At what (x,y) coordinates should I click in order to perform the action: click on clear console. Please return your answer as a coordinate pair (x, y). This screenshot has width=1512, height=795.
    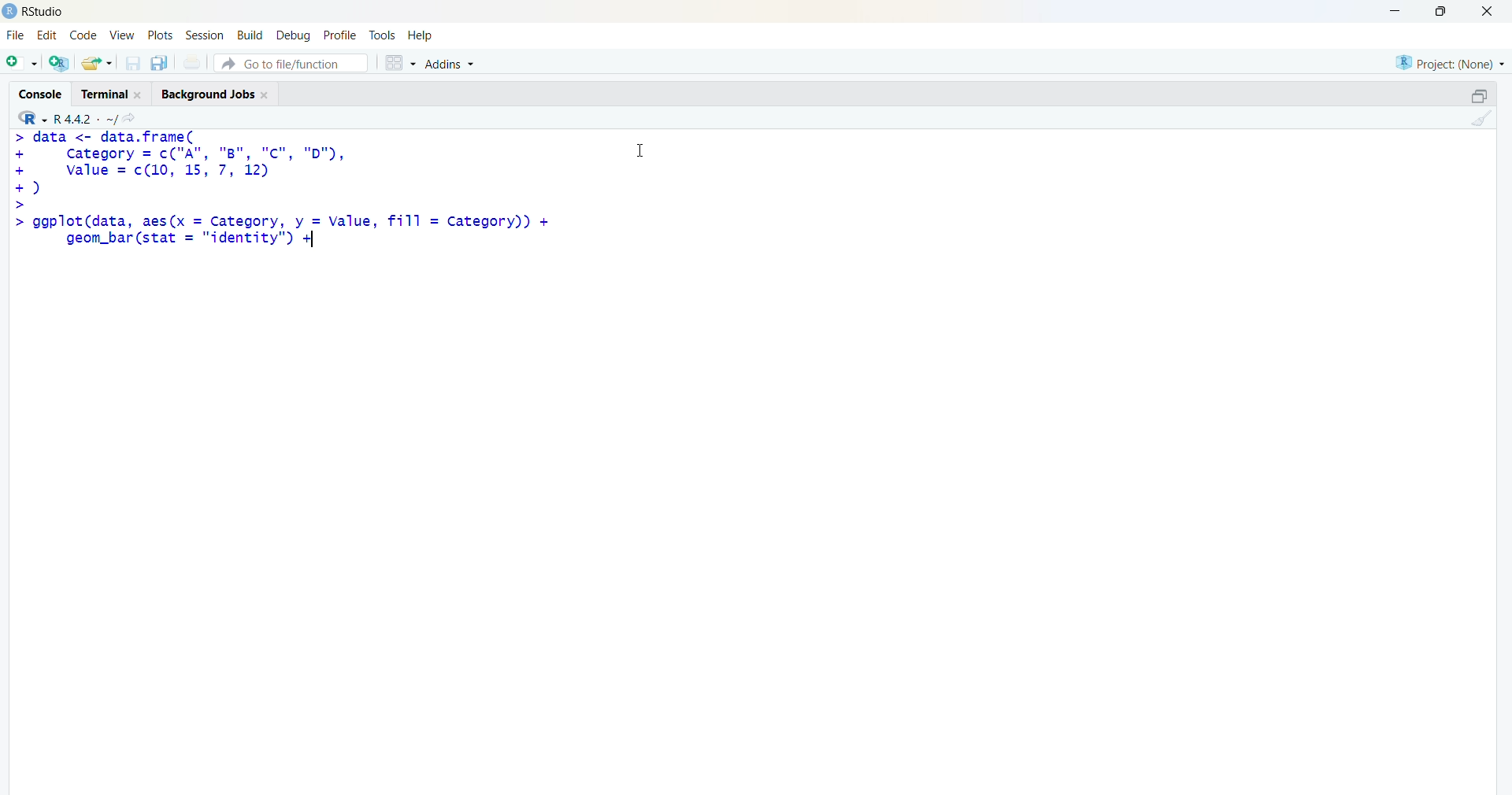
    Looking at the image, I should click on (1479, 118).